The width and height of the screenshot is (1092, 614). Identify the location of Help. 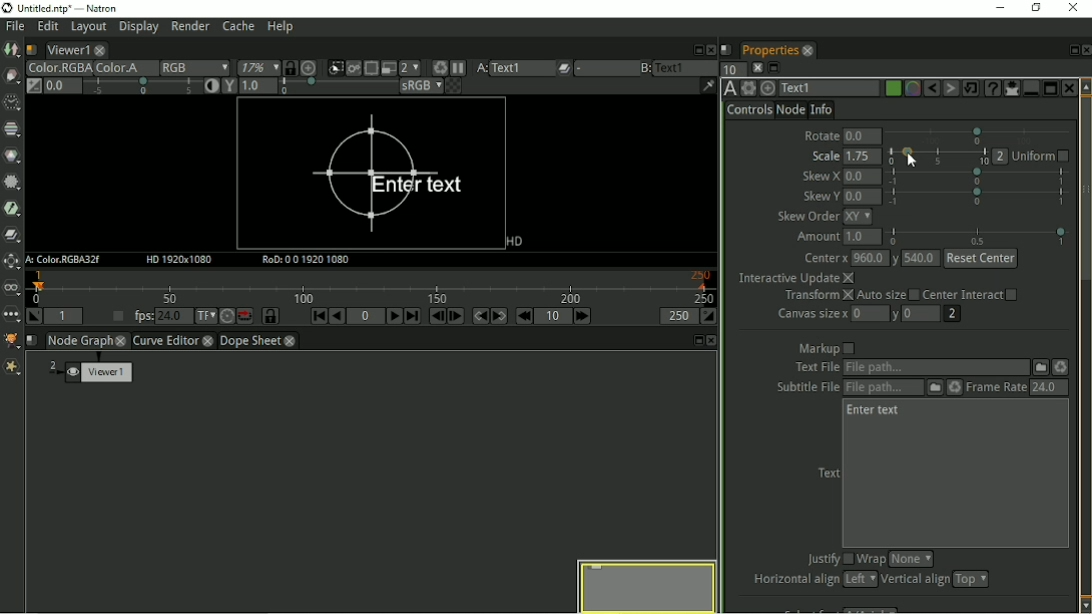
(281, 27).